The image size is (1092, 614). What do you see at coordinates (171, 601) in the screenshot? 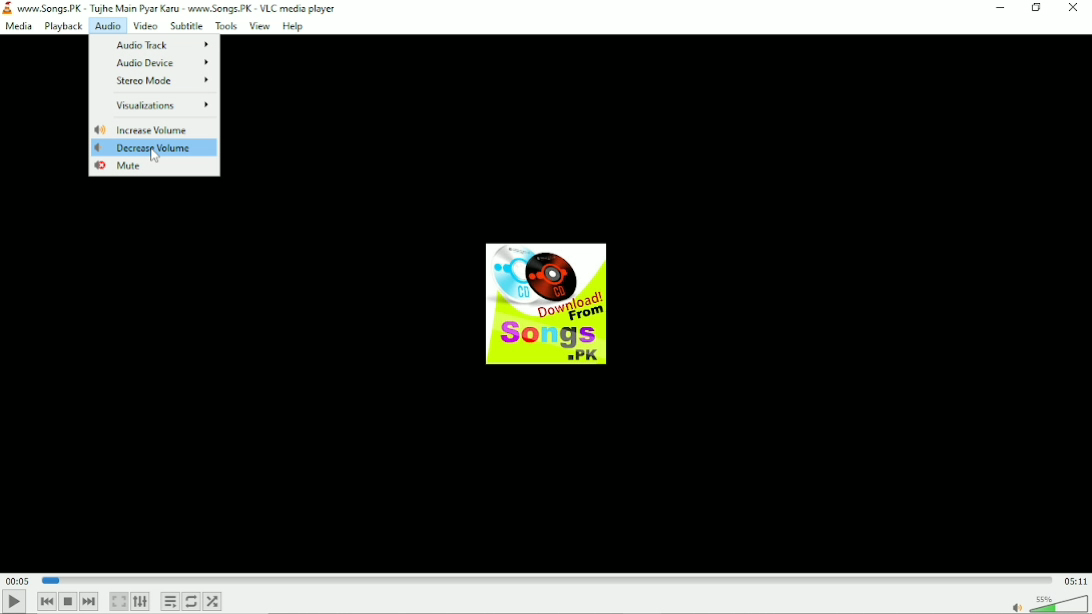
I see `Toggle playlist` at bounding box center [171, 601].